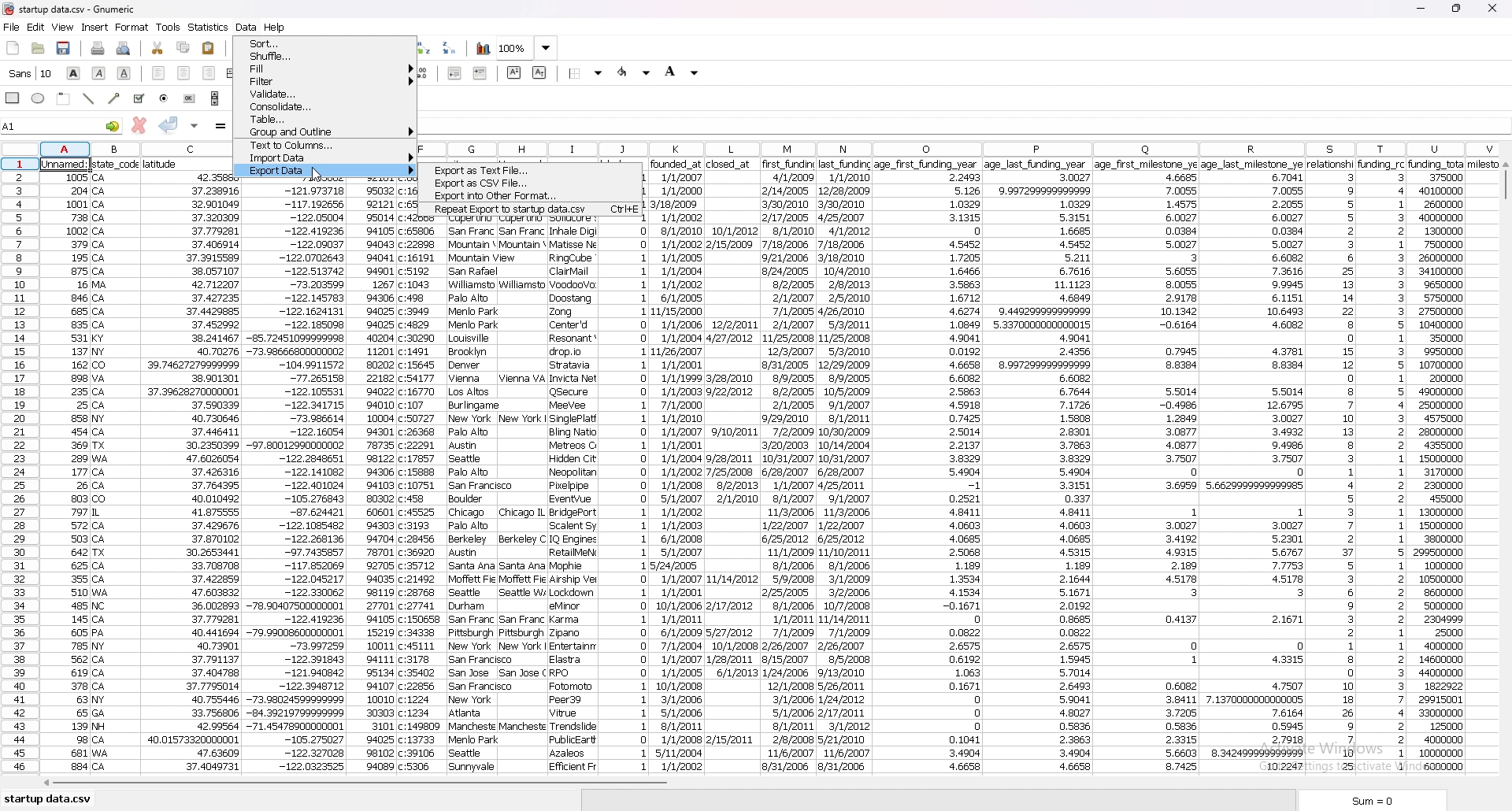 Image resolution: width=1512 pixels, height=811 pixels. Describe the element at coordinates (61, 125) in the screenshot. I see `selected cell` at that location.